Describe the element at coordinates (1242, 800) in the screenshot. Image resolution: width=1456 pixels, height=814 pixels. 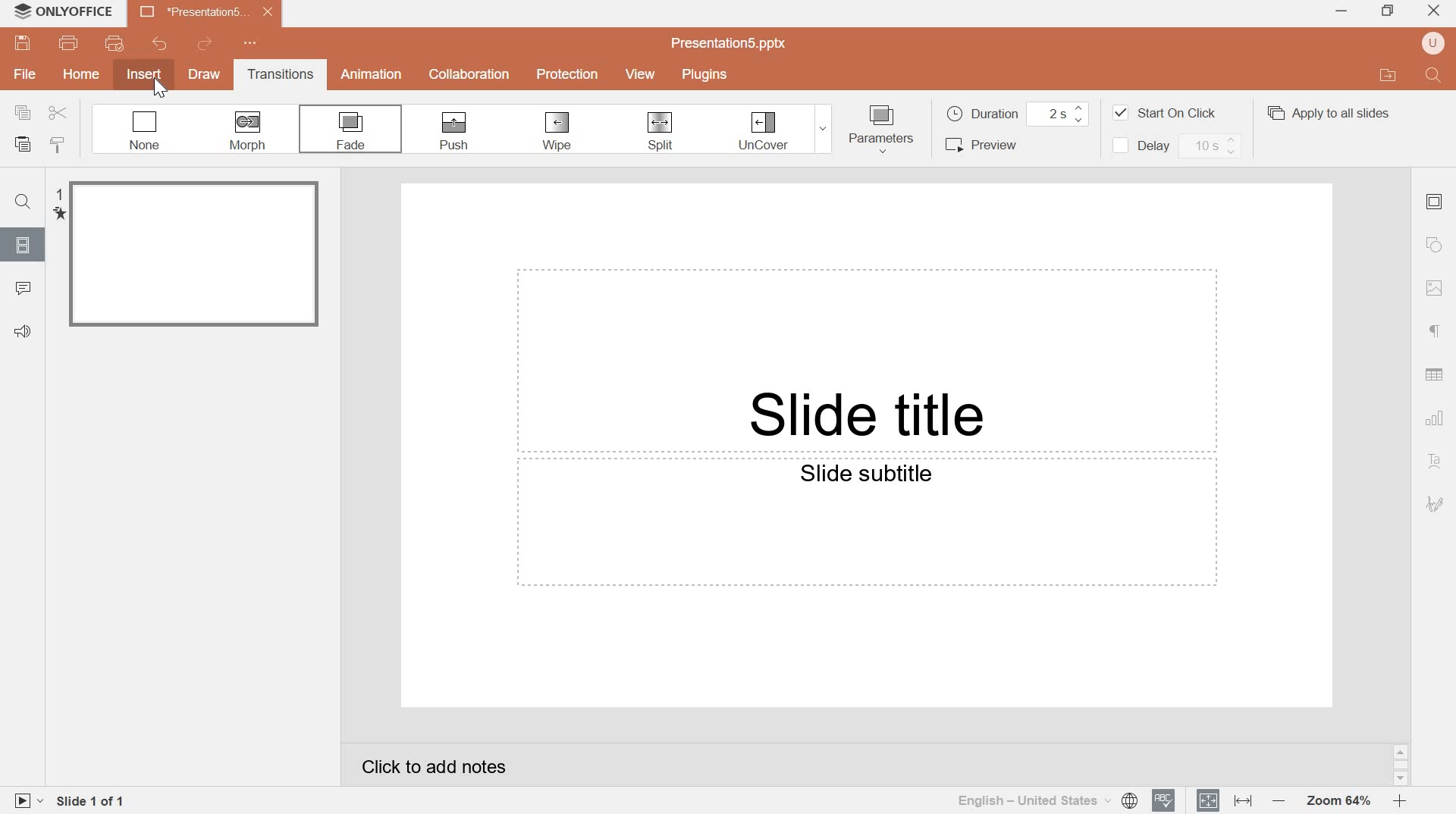
I see `Fit to width` at that location.